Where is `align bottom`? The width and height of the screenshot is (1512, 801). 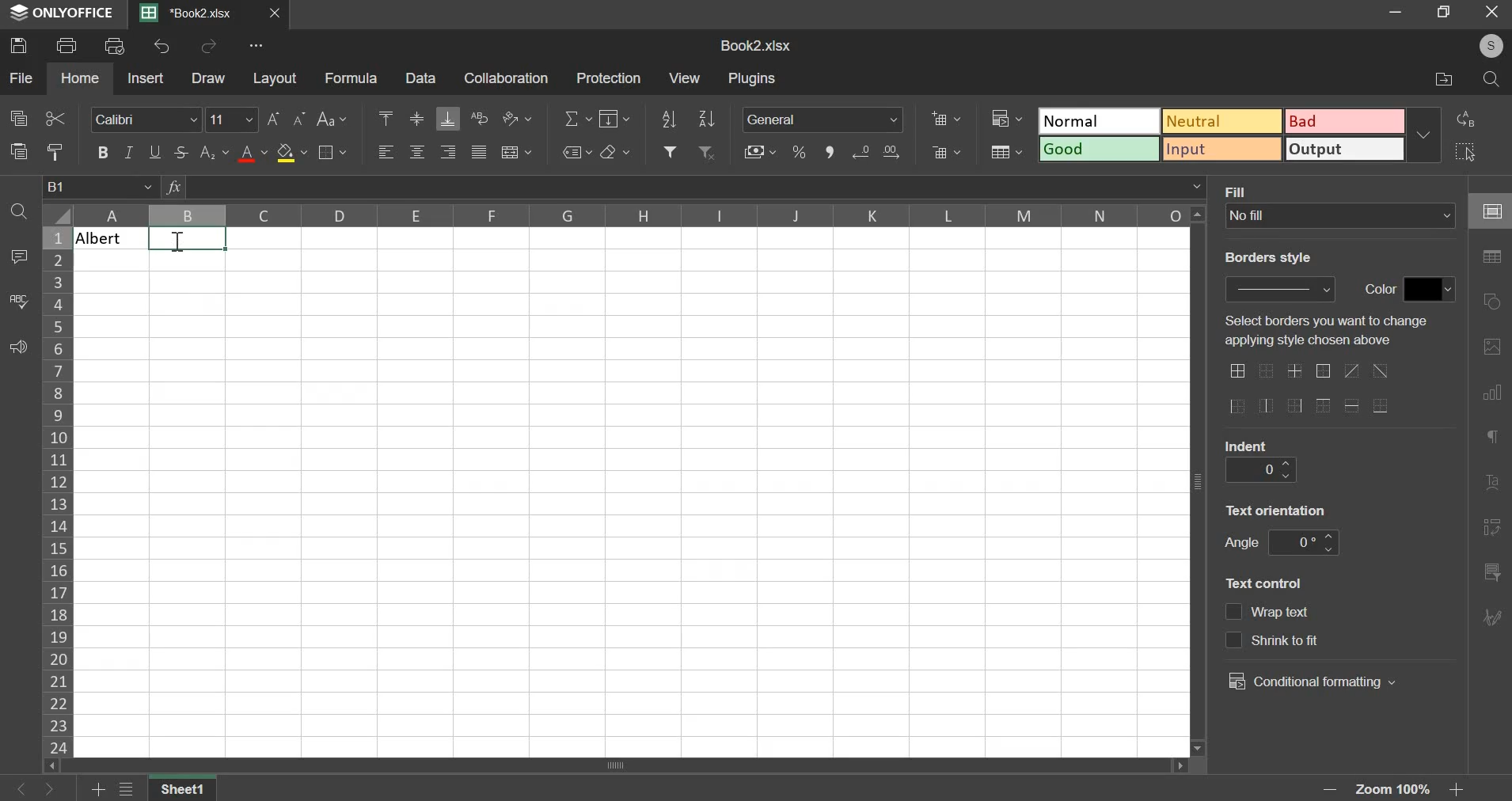 align bottom is located at coordinates (450, 119).